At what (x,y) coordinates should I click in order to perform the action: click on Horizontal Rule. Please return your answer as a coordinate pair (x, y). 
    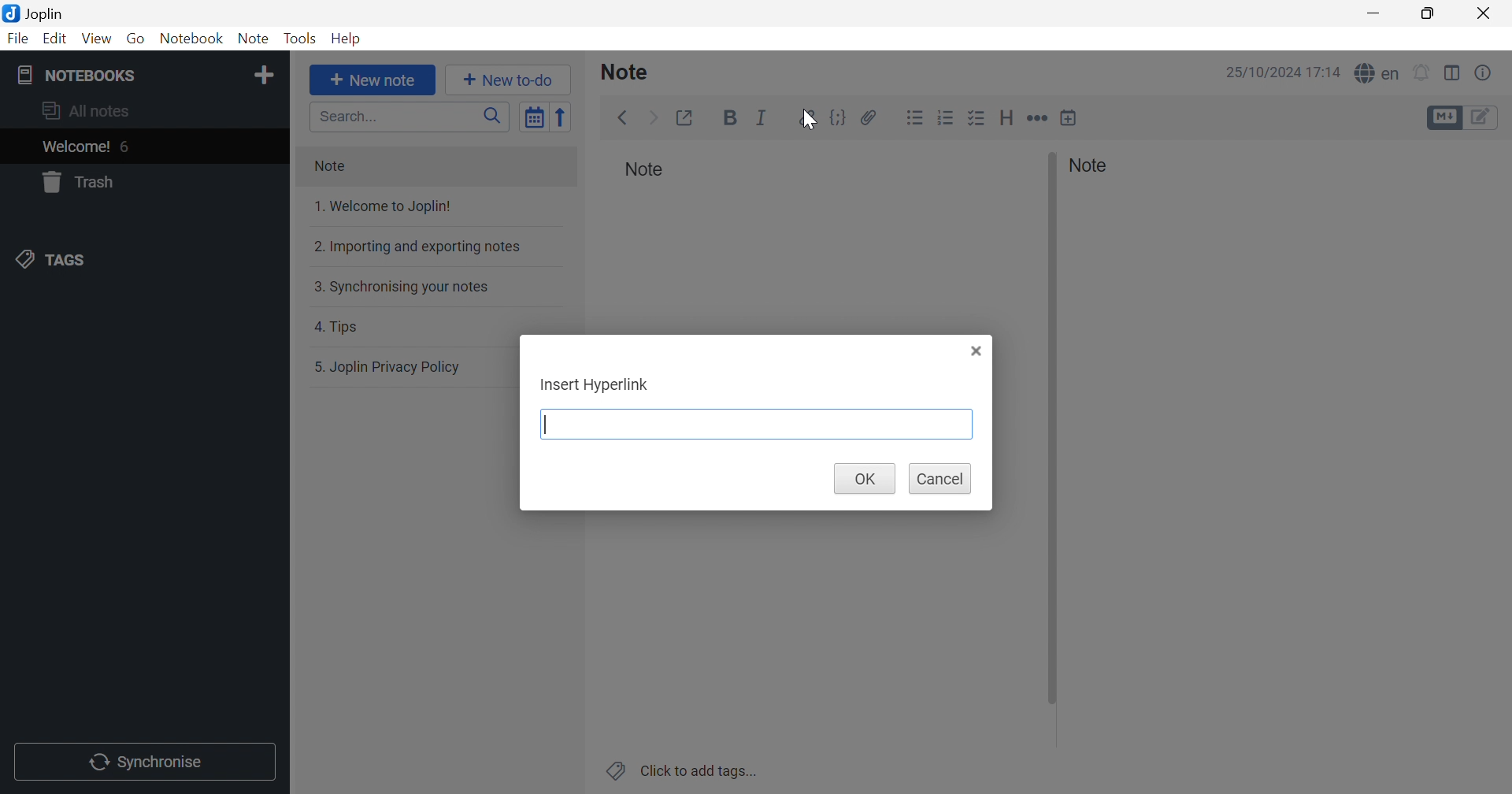
    Looking at the image, I should click on (1038, 117).